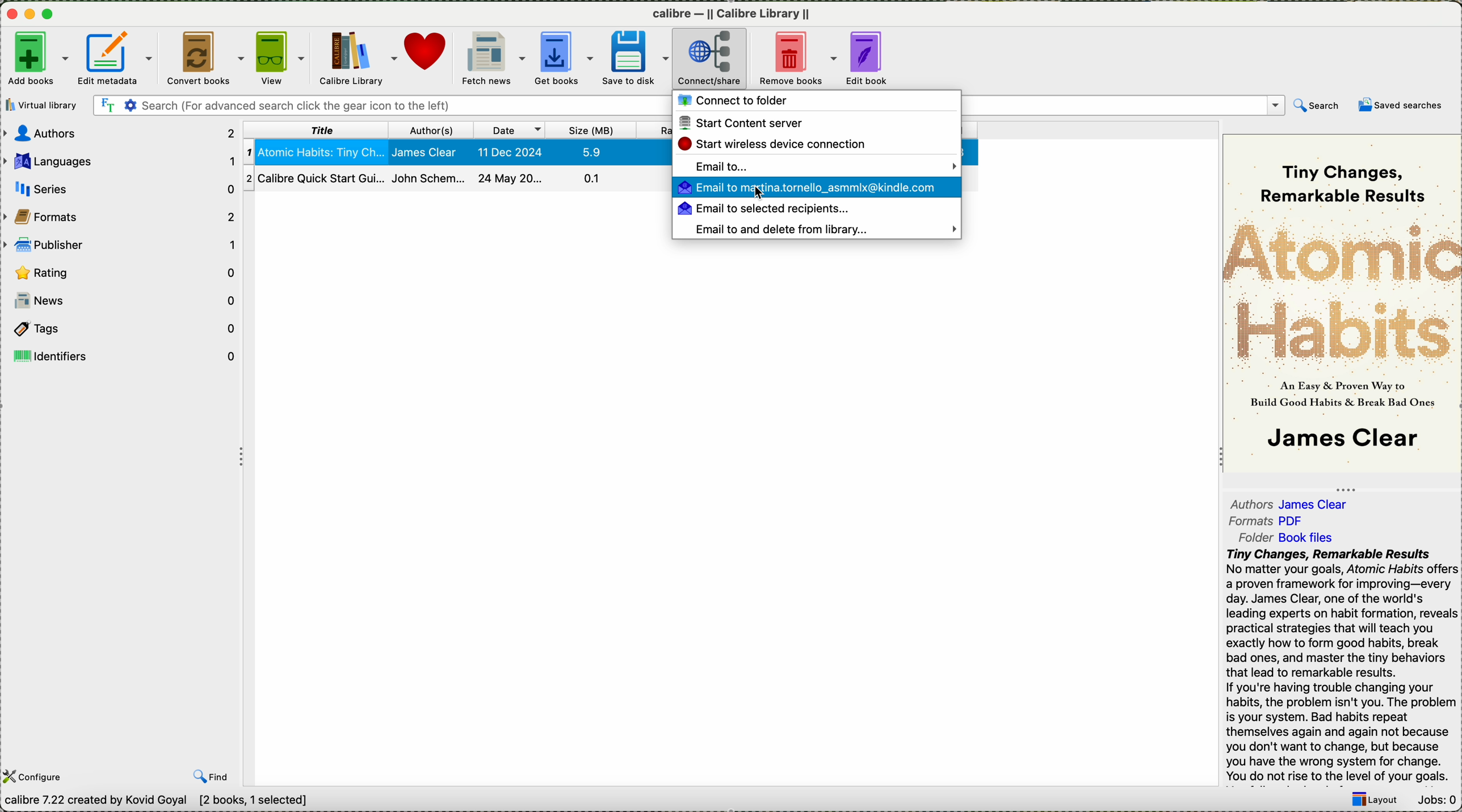 The image size is (1462, 812). I want to click on authors, so click(1293, 502).